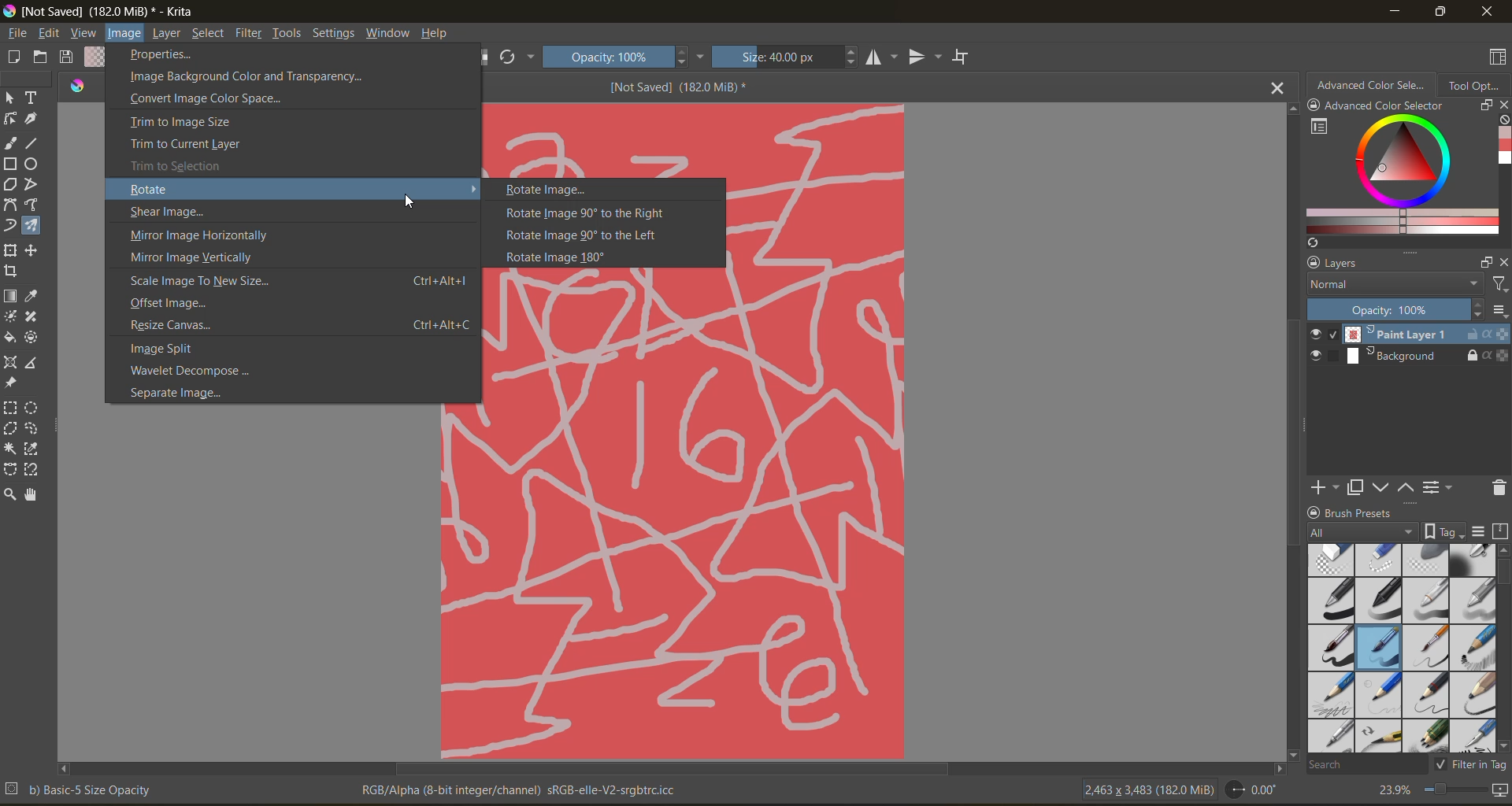  Describe the element at coordinates (11, 57) in the screenshot. I see `create` at that location.